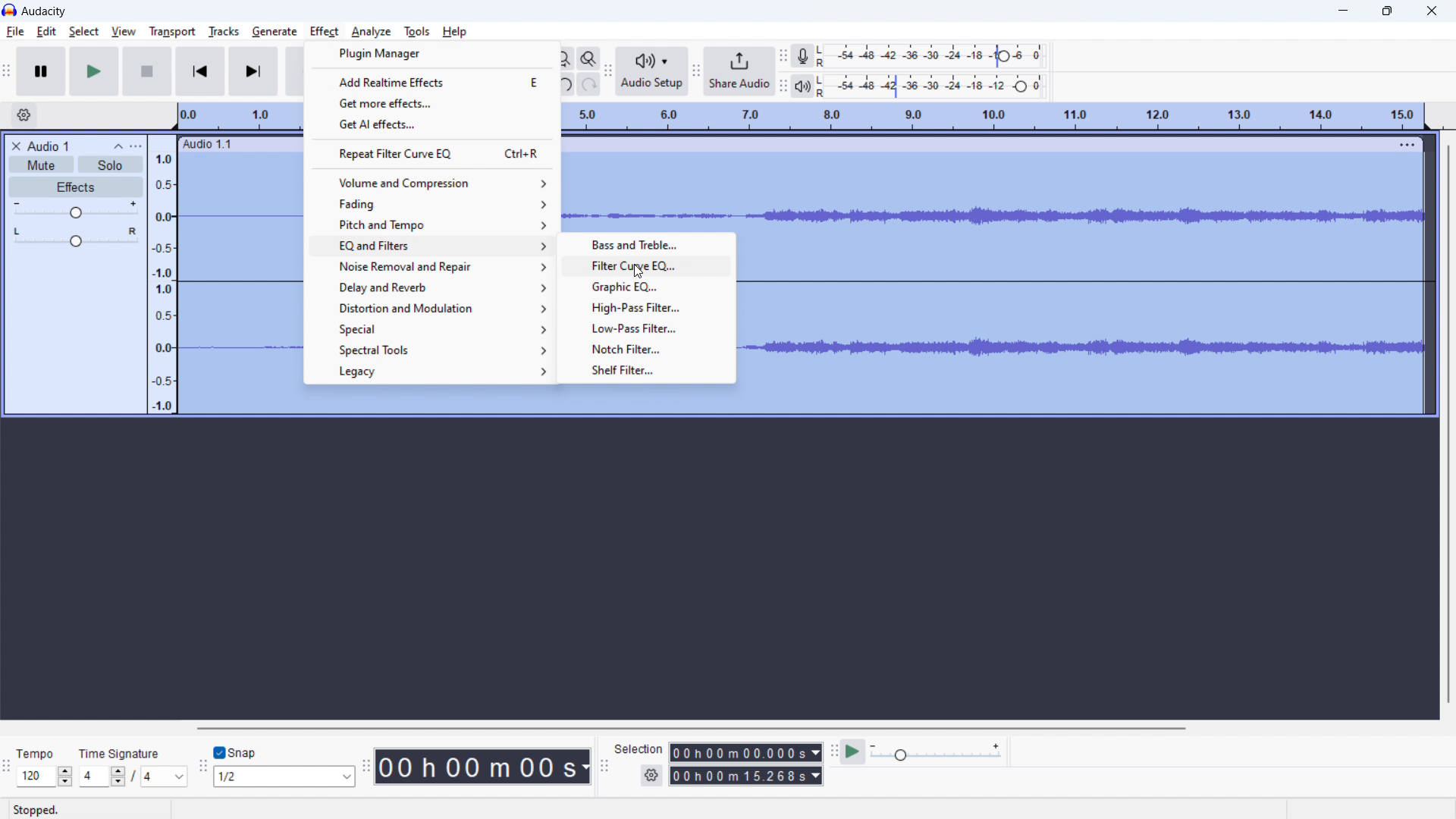 The width and height of the screenshot is (1456, 819). I want to click on notch filter, so click(647, 349).